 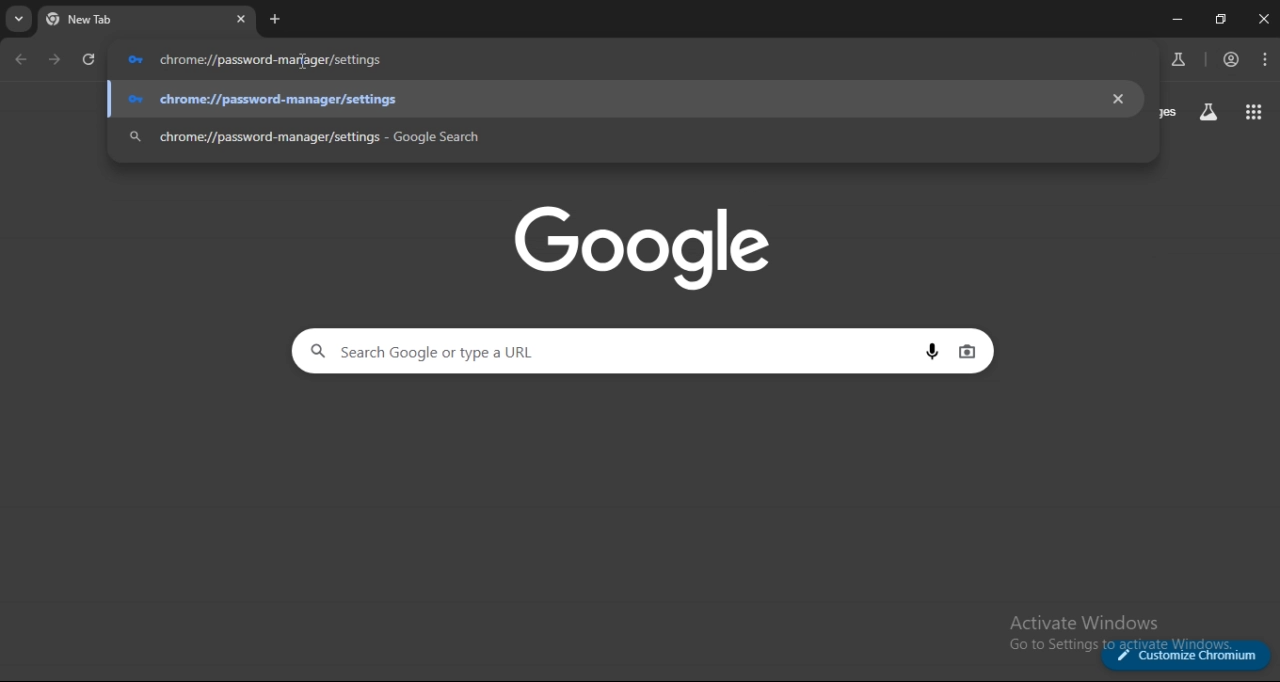 I want to click on Google, so click(x=648, y=247).